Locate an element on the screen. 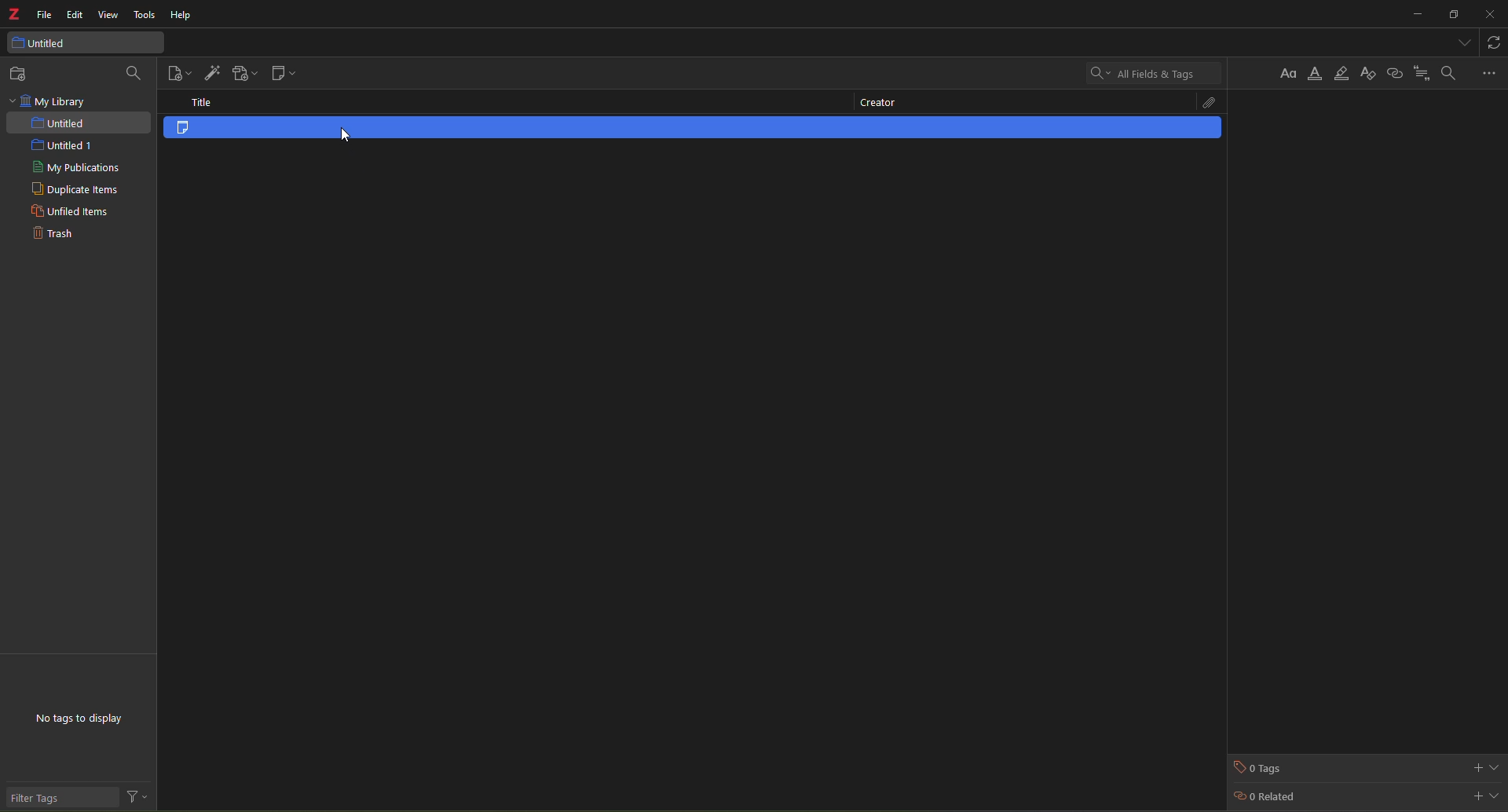 The width and height of the screenshot is (1508, 812). file is located at coordinates (46, 15).